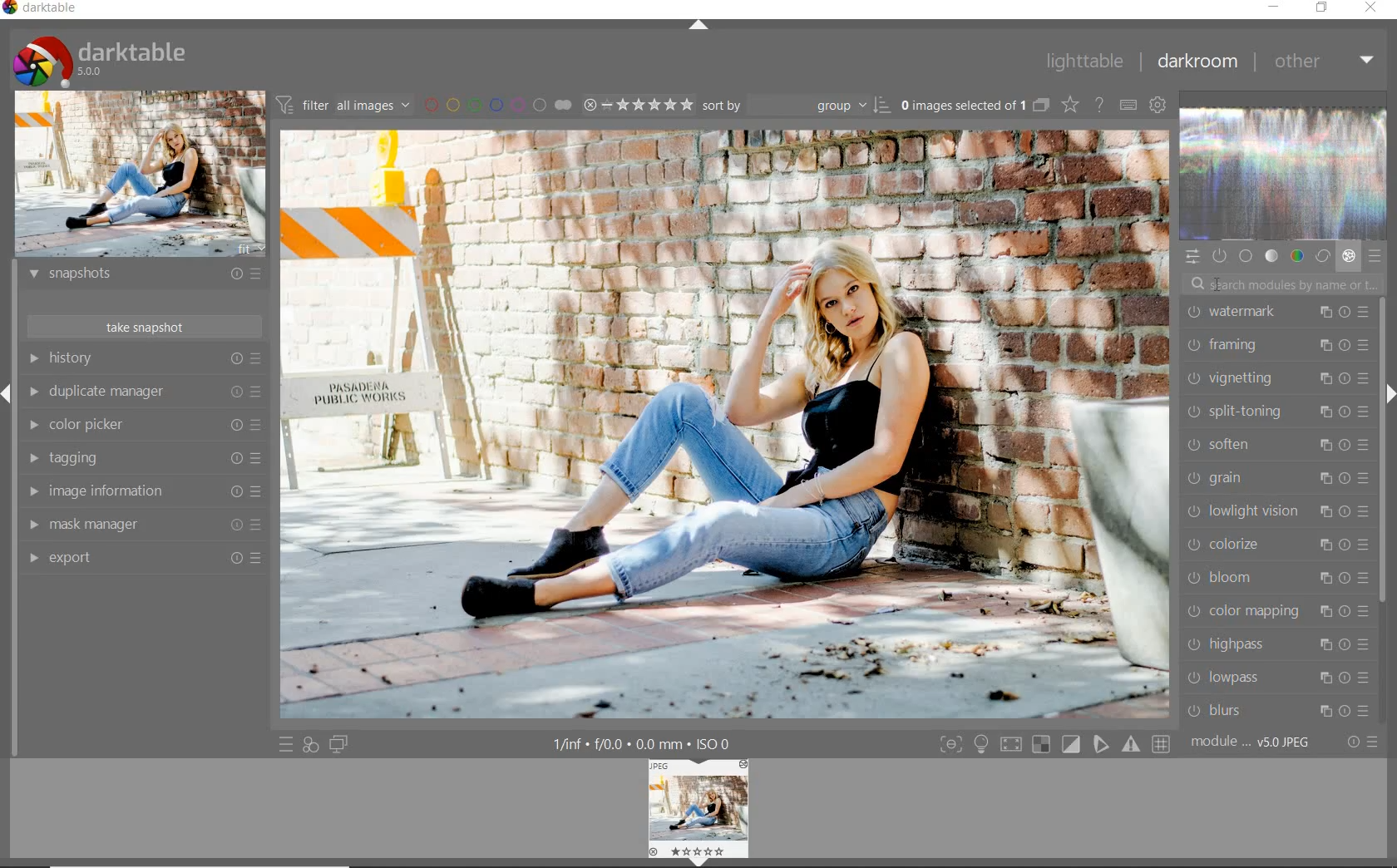  I want to click on correct, so click(1322, 257).